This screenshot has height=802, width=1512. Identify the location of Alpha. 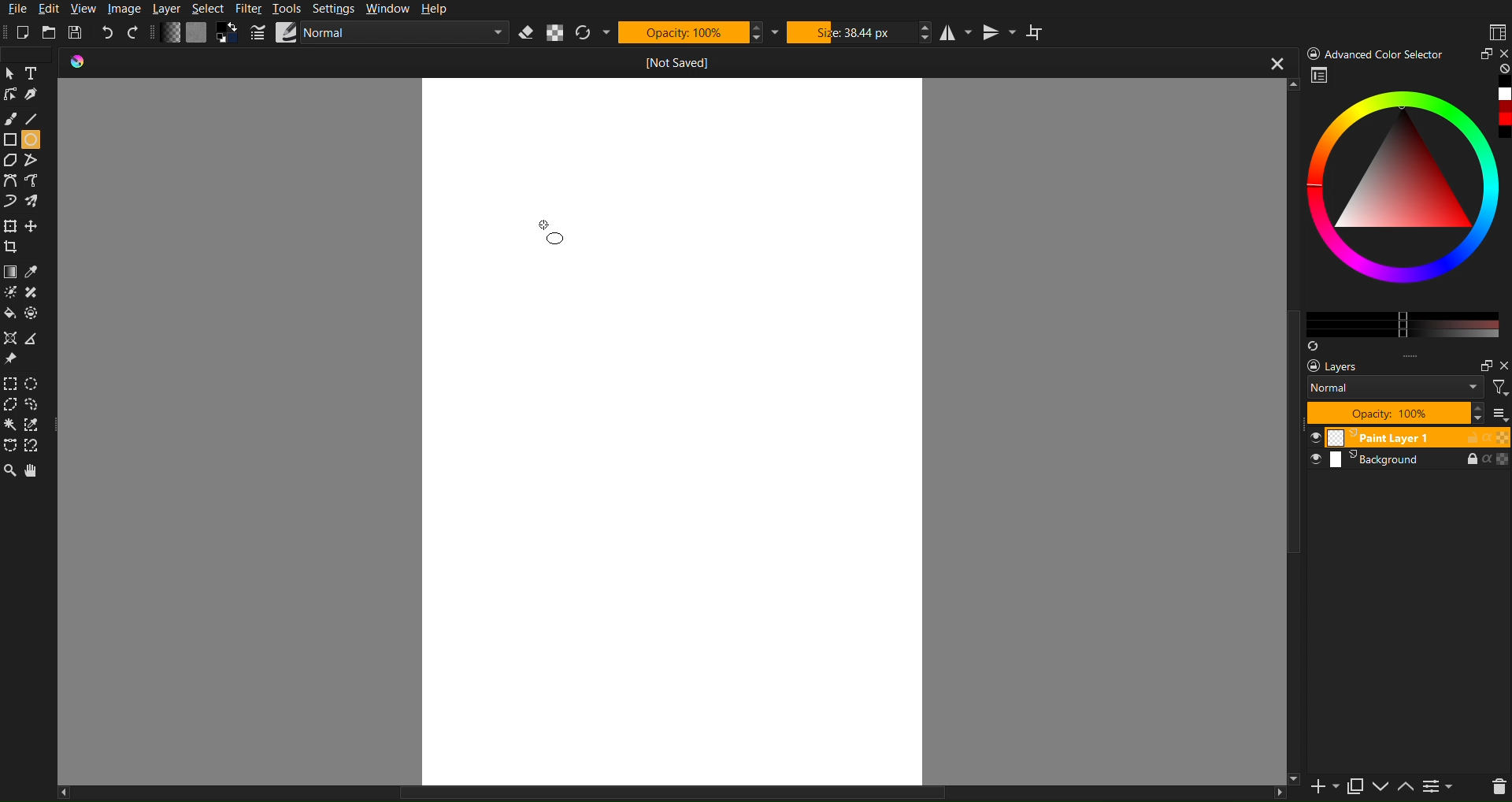
(555, 32).